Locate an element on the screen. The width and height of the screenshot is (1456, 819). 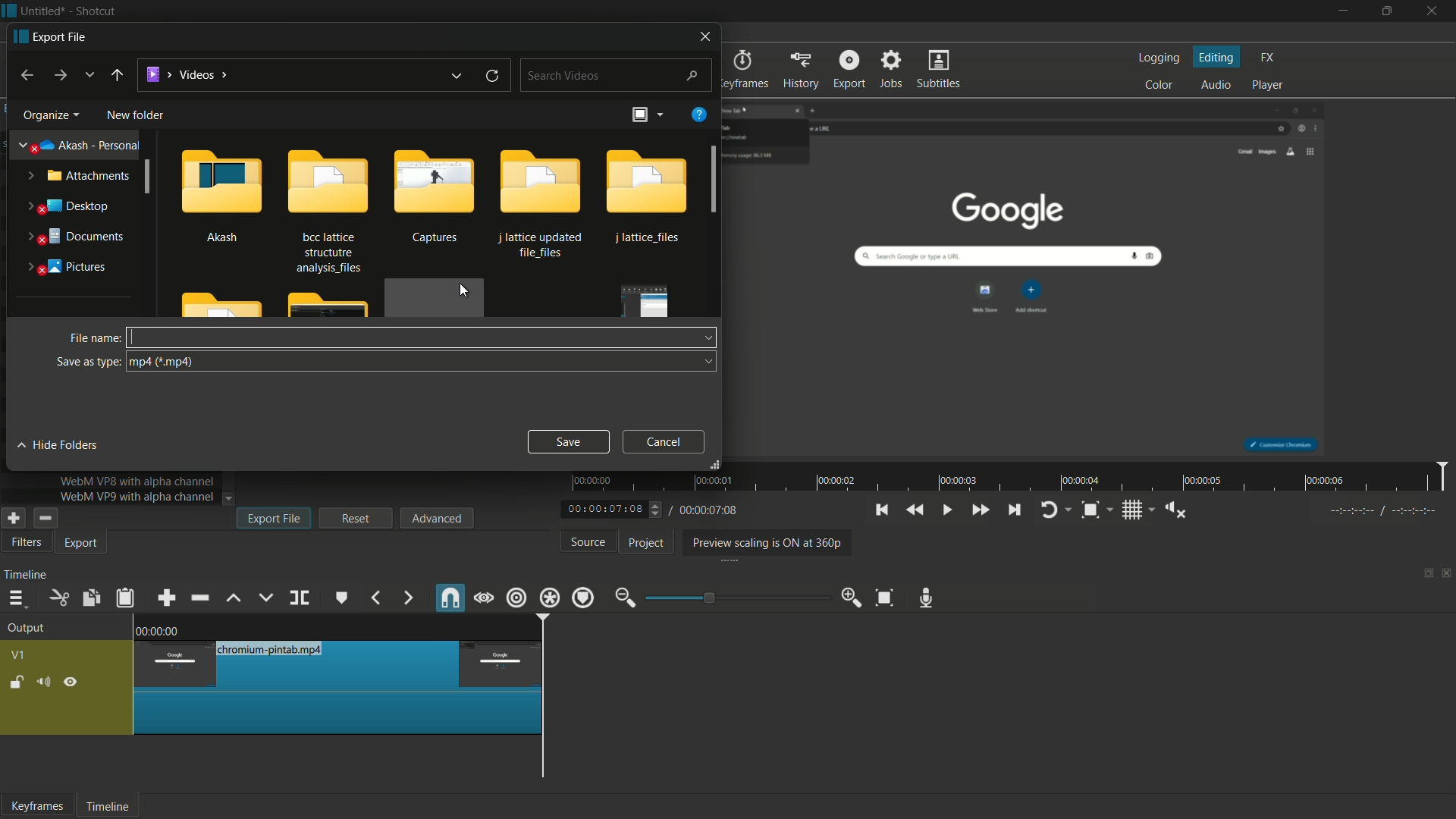
folder-4 is located at coordinates (543, 204).